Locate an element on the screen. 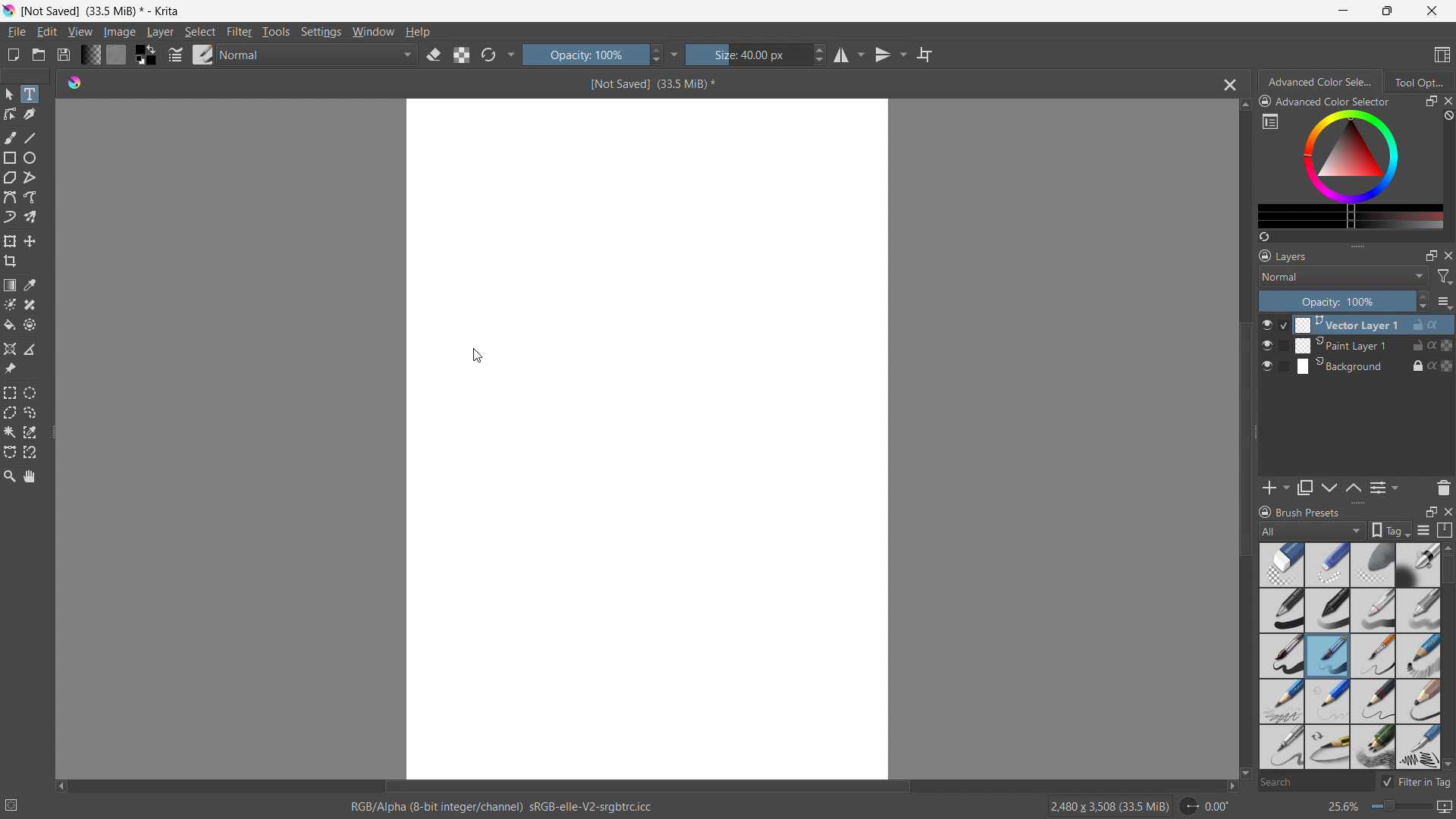 The width and height of the screenshot is (1456, 819). more settings is located at coordinates (1270, 121).